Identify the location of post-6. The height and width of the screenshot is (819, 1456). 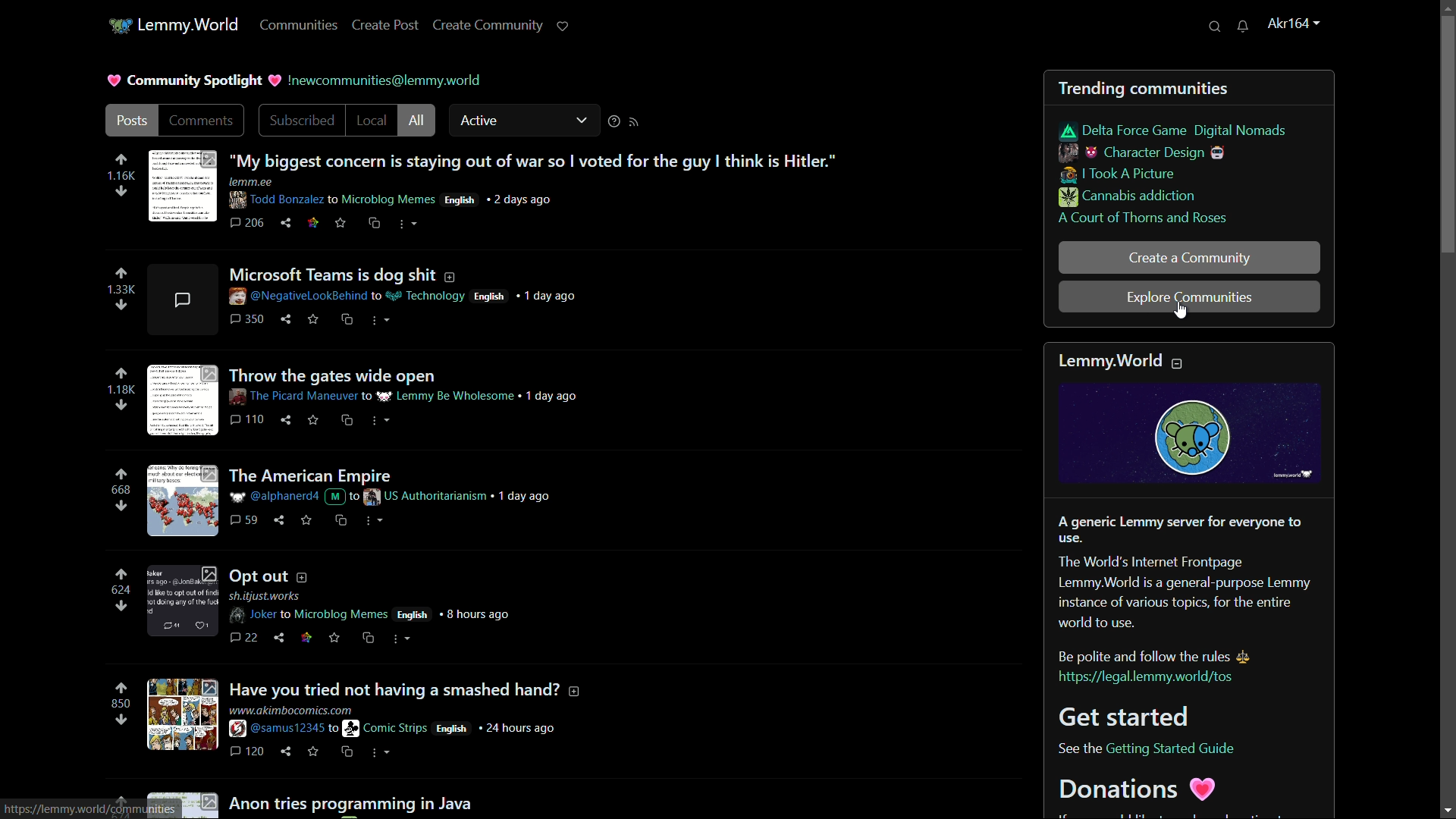
(403, 688).